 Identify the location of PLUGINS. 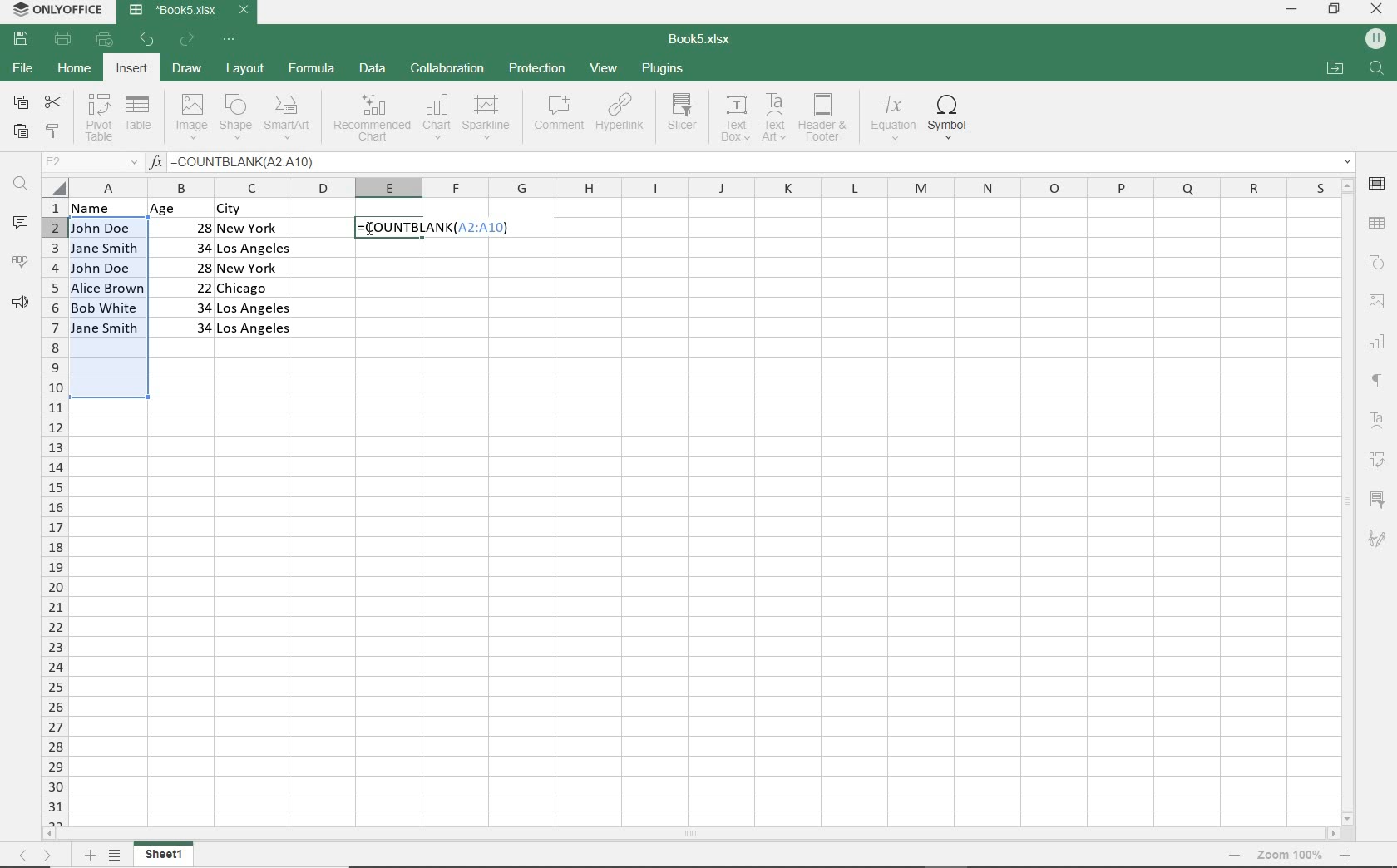
(661, 67).